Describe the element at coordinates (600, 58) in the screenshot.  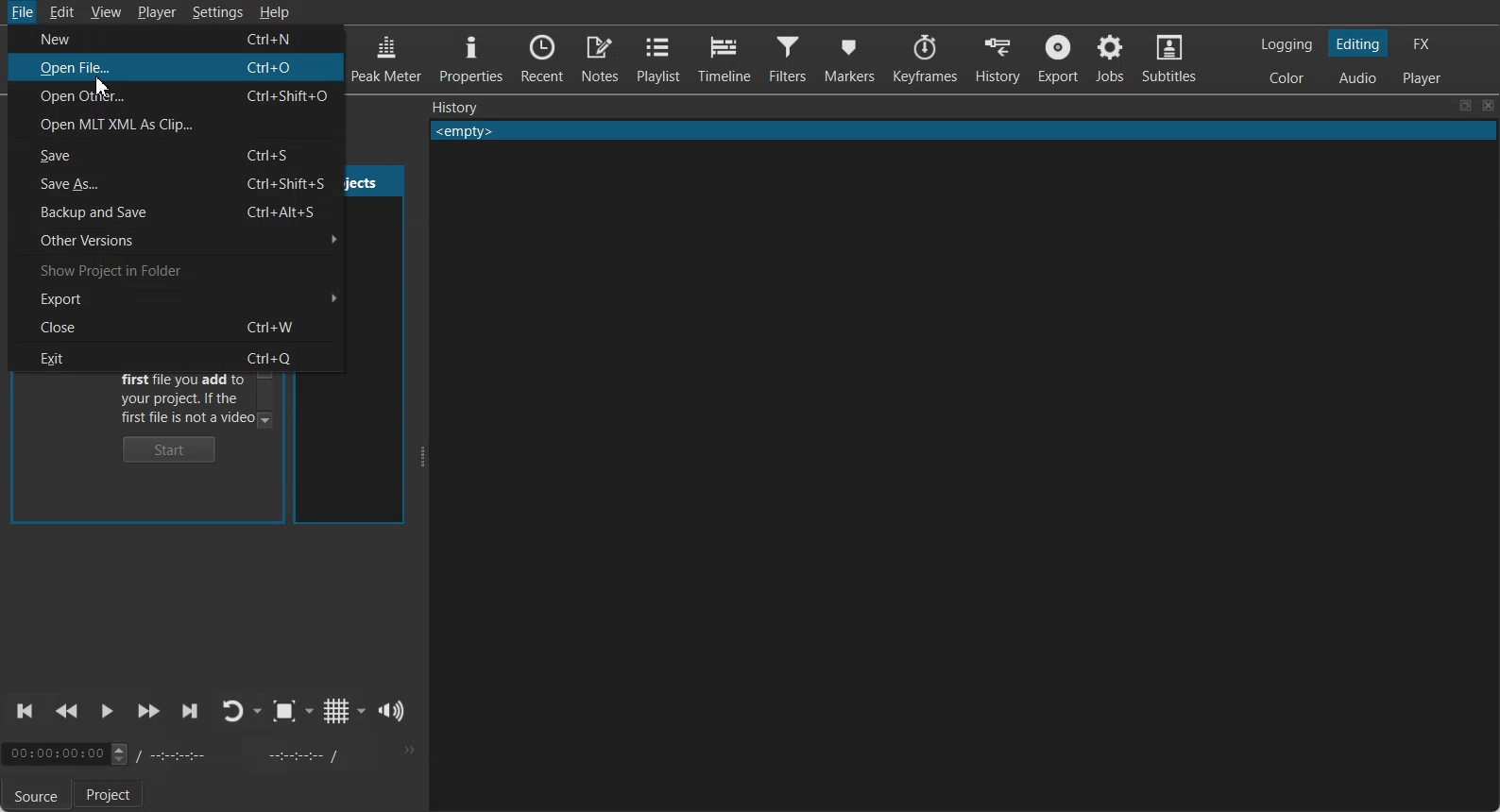
I see `Notes` at that location.